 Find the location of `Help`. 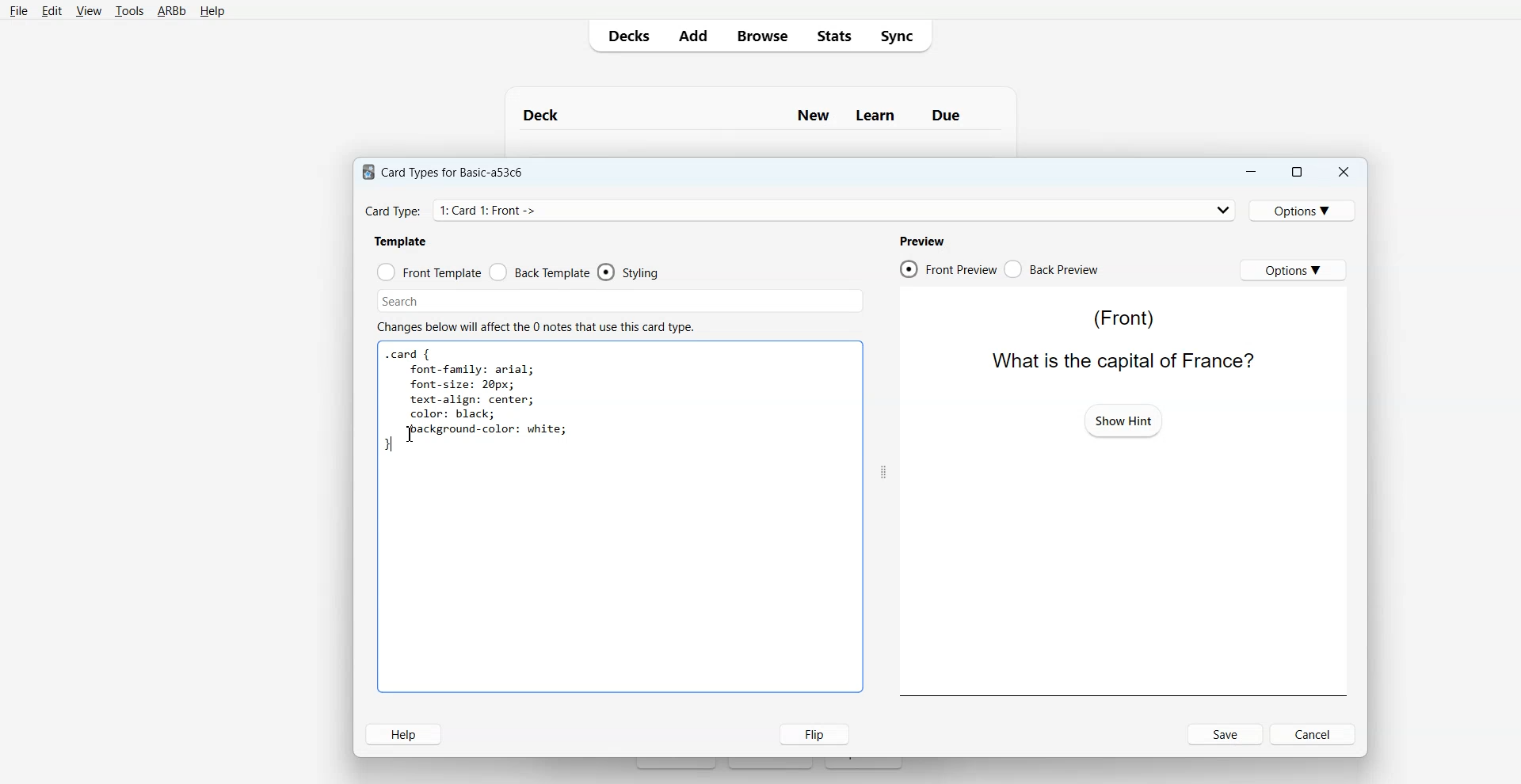

Help is located at coordinates (403, 734).